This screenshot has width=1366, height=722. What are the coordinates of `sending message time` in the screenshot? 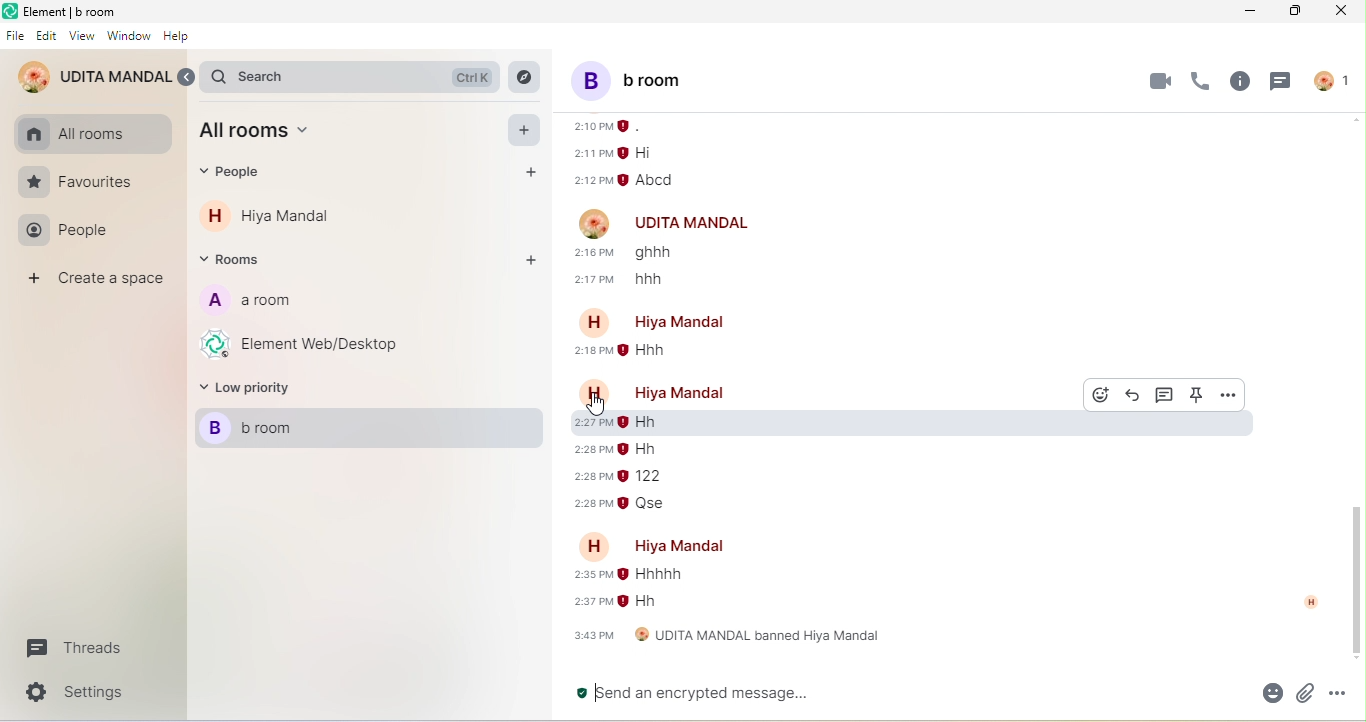 It's located at (596, 252).